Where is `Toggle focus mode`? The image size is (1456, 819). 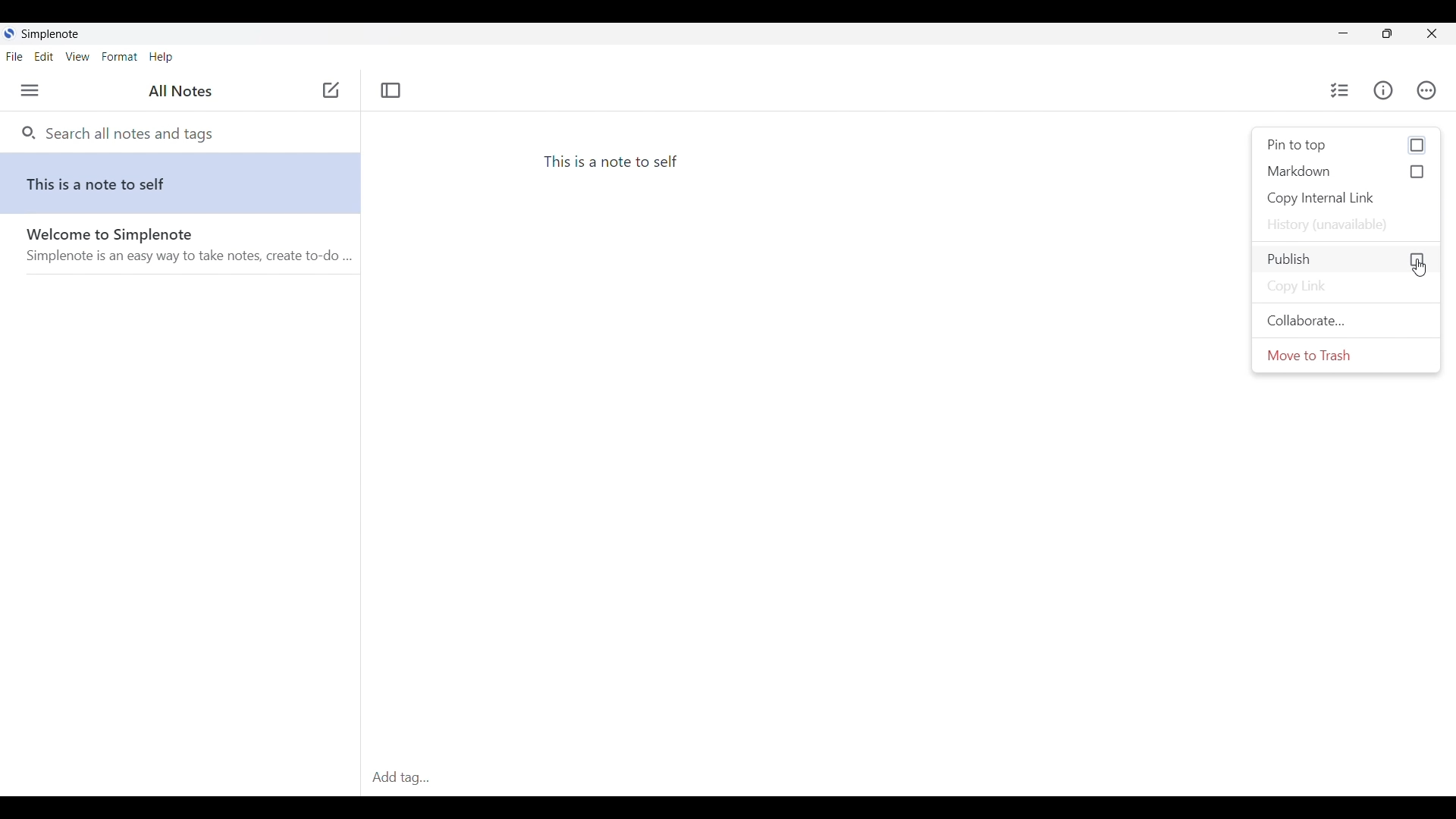
Toggle focus mode is located at coordinates (391, 89).